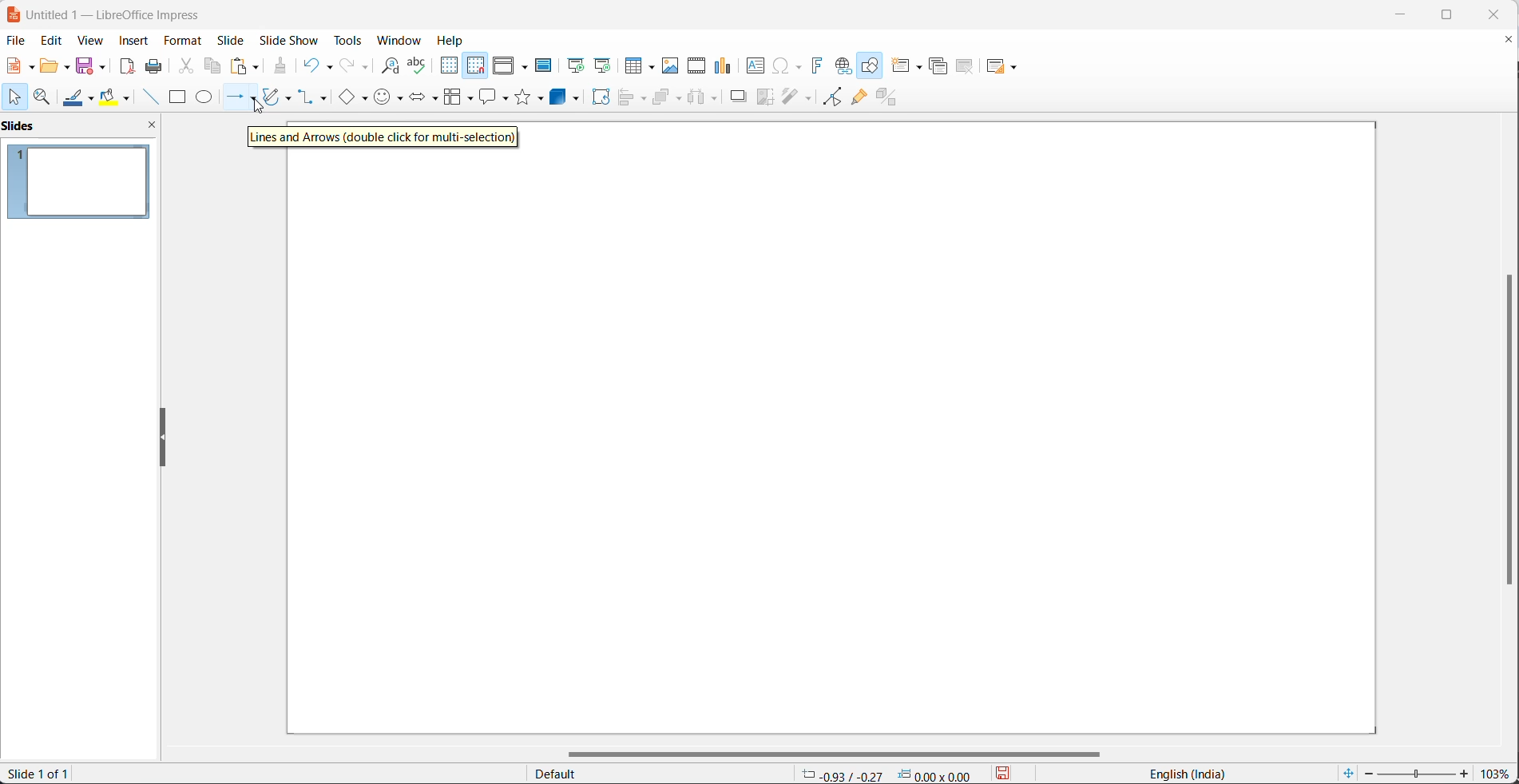 This screenshot has width=1519, height=784. What do you see at coordinates (936, 68) in the screenshot?
I see `duplicate slide` at bounding box center [936, 68].